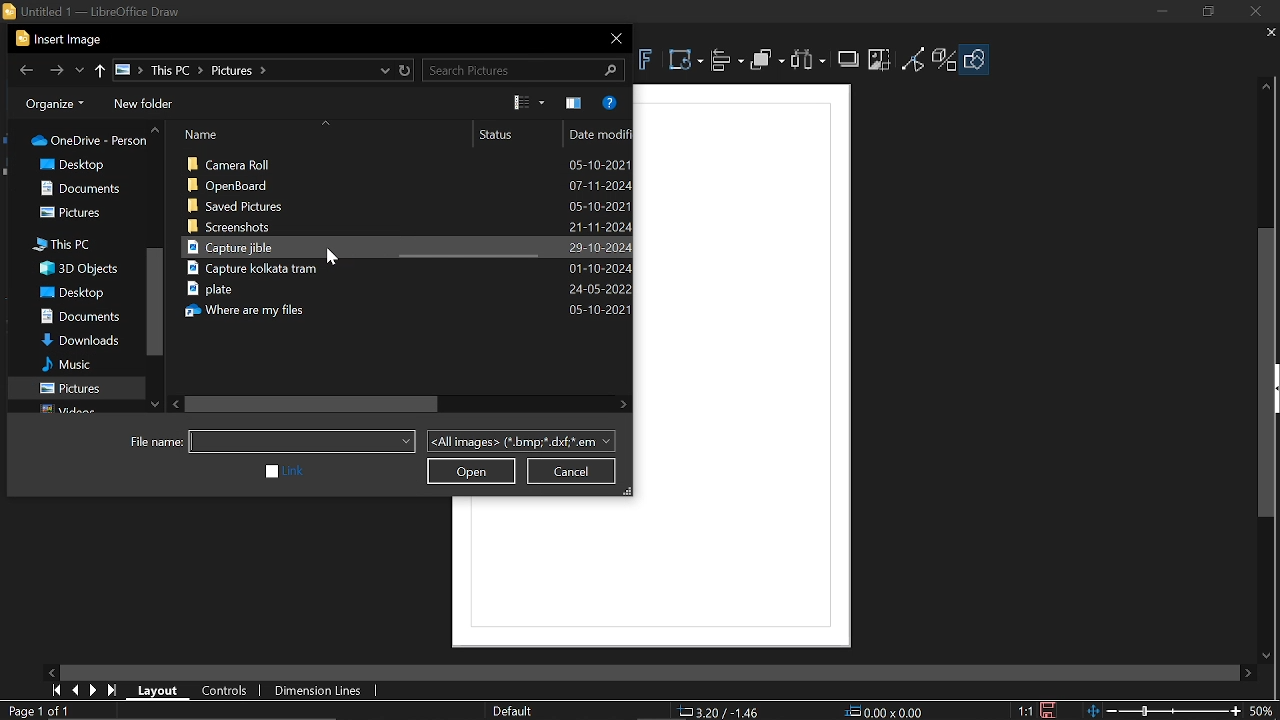  I want to click on Click to save, so click(1048, 710).